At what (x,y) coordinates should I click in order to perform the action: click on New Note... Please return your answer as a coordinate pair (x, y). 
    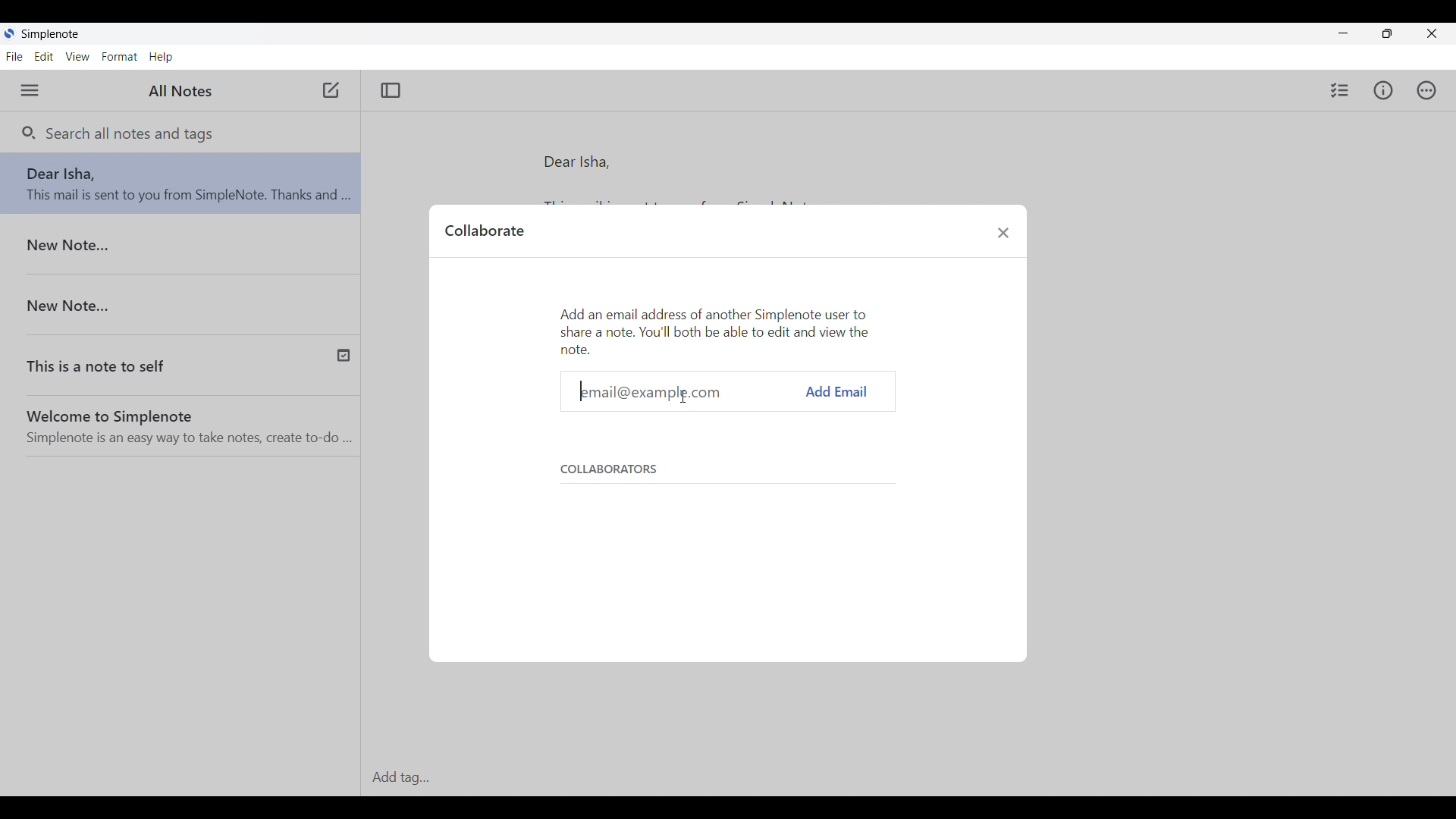
    Looking at the image, I should click on (190, 300).